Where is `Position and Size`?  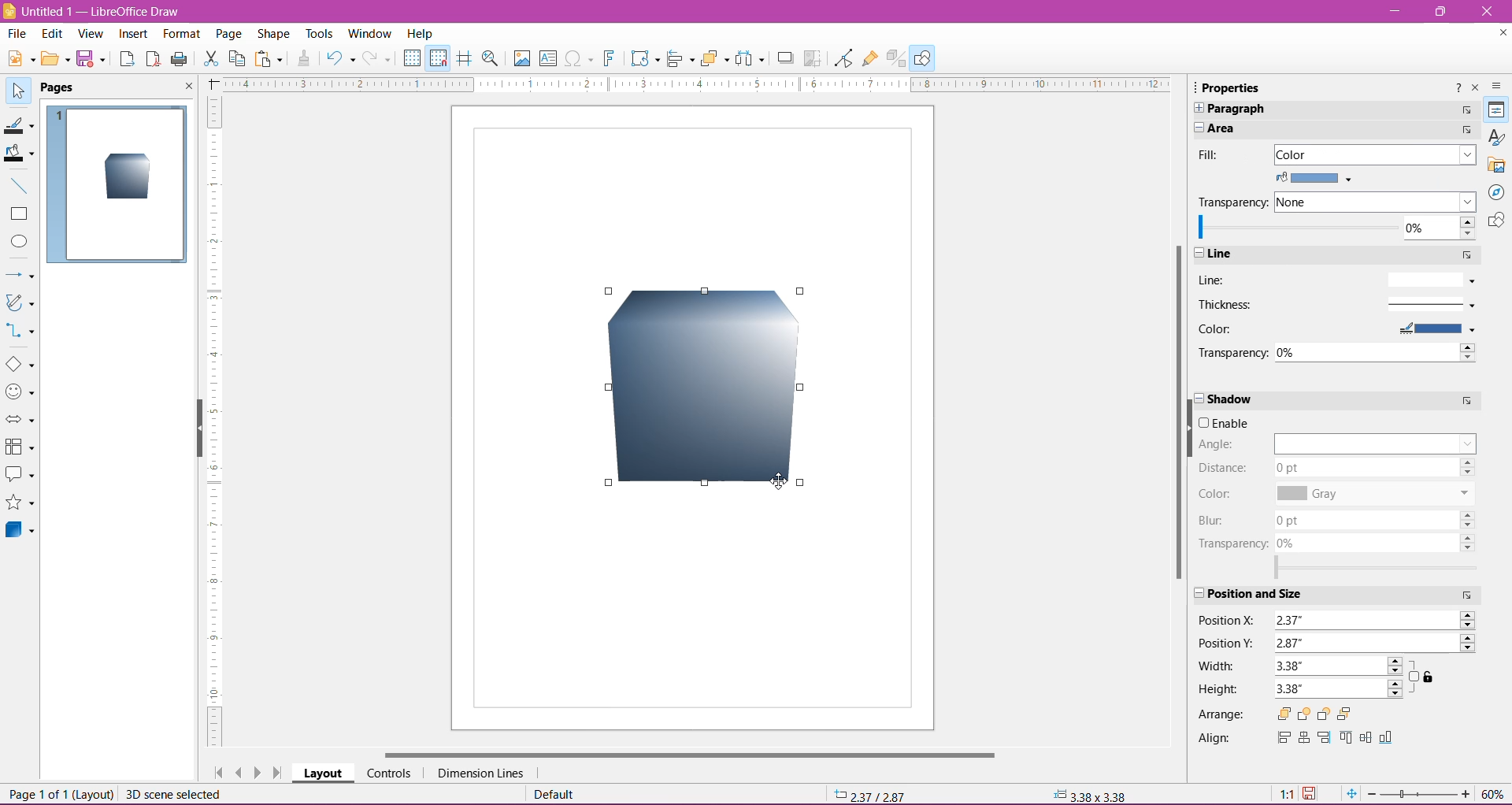
Position and Size is located at coordinates (1280, 595).